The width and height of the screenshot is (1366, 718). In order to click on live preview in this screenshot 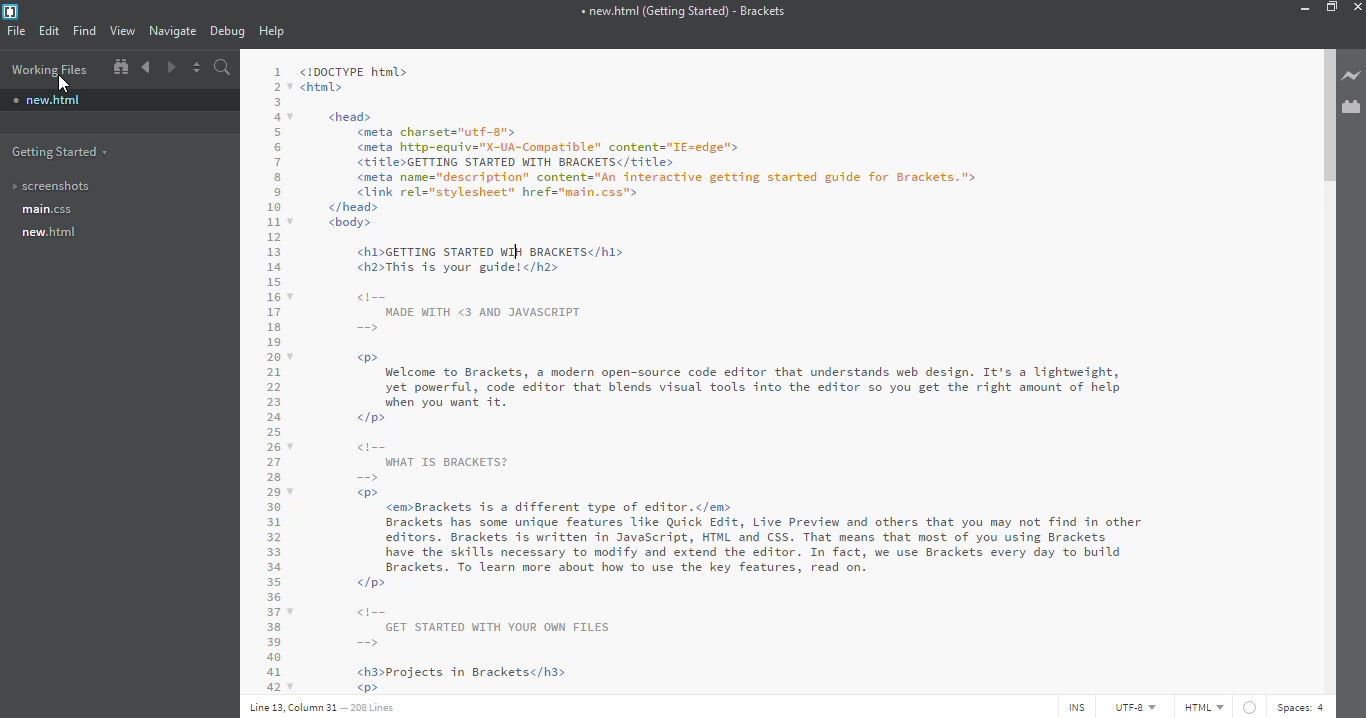, I will do `click(1351, 75)`.